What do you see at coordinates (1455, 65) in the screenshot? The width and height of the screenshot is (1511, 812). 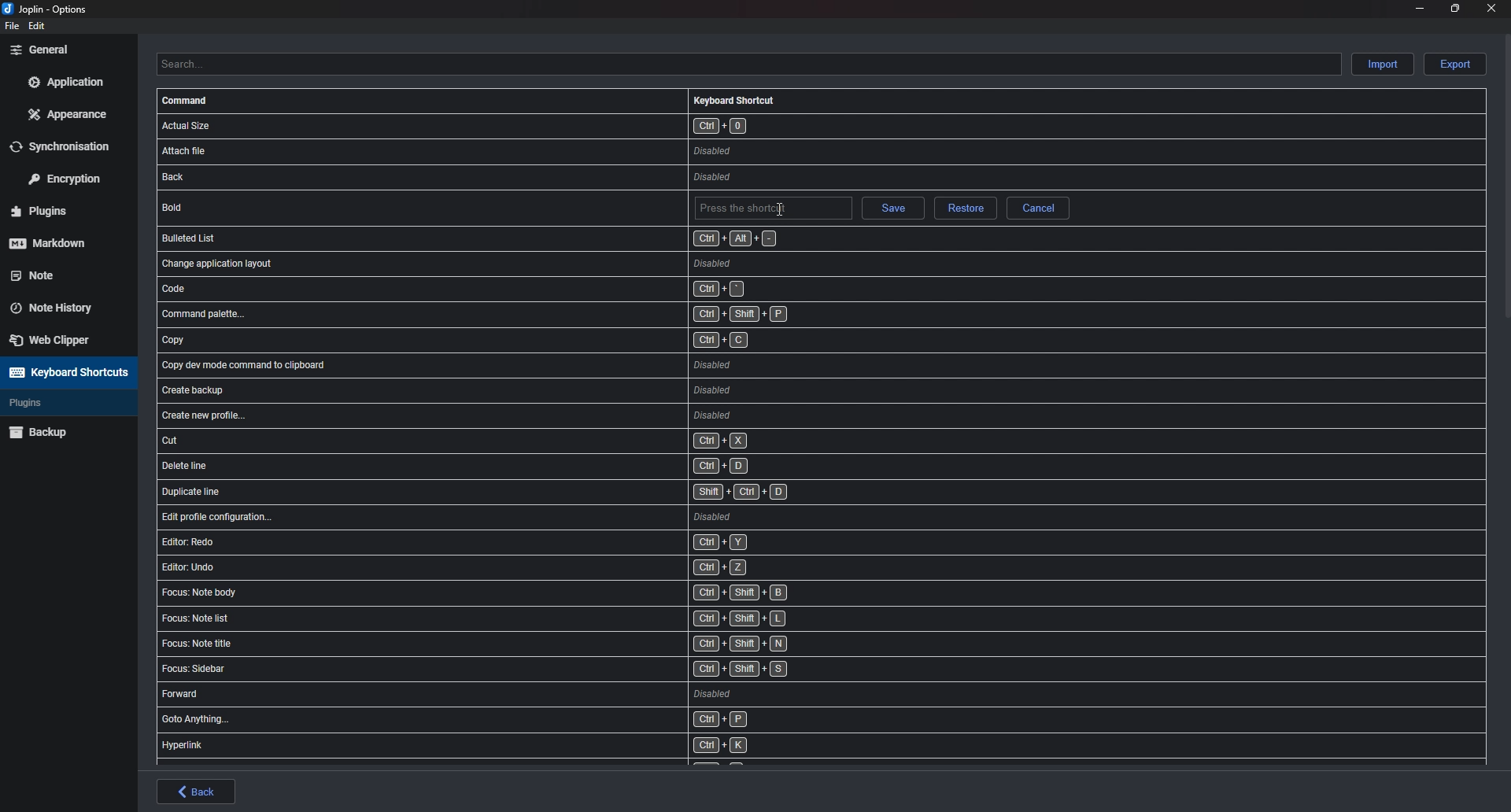 I see `Export` at bounding box center [1455, 65].